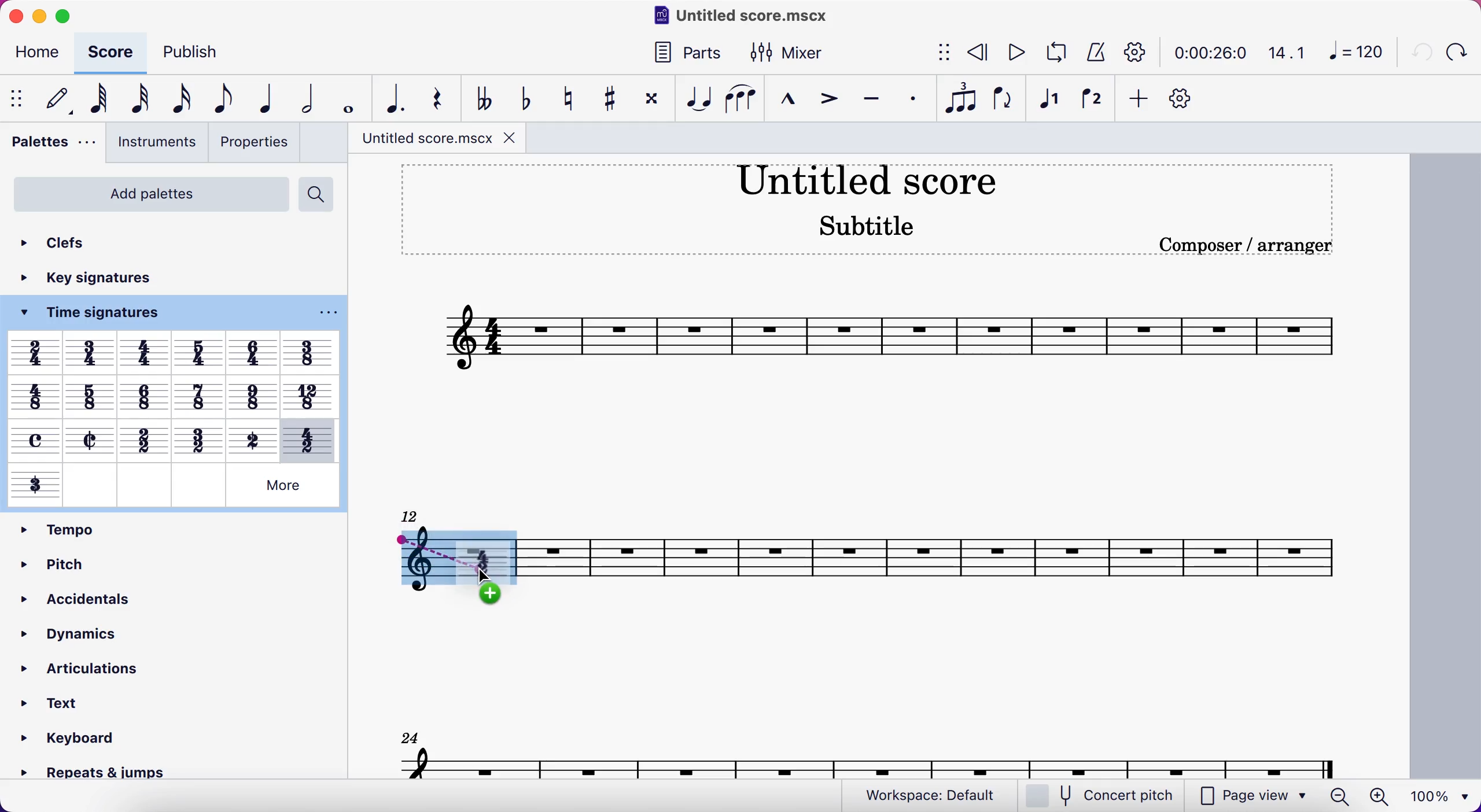 Image resolution: width=1481 pixels, height=812 pixels. Describe the element at coordinates (261, 98) in the screenshot. I see `quarter note` at that location.